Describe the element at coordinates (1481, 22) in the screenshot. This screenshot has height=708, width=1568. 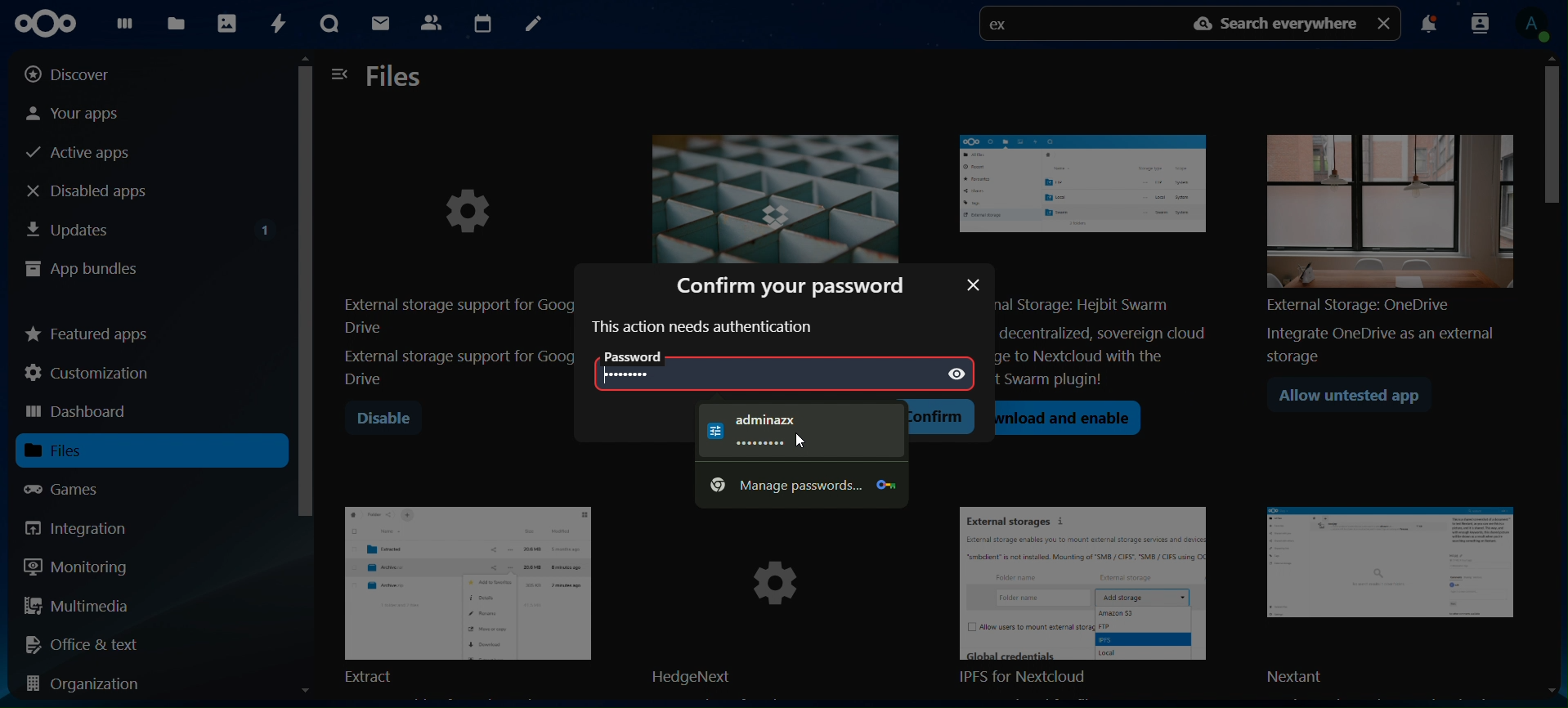
I see `search profile` at that location.